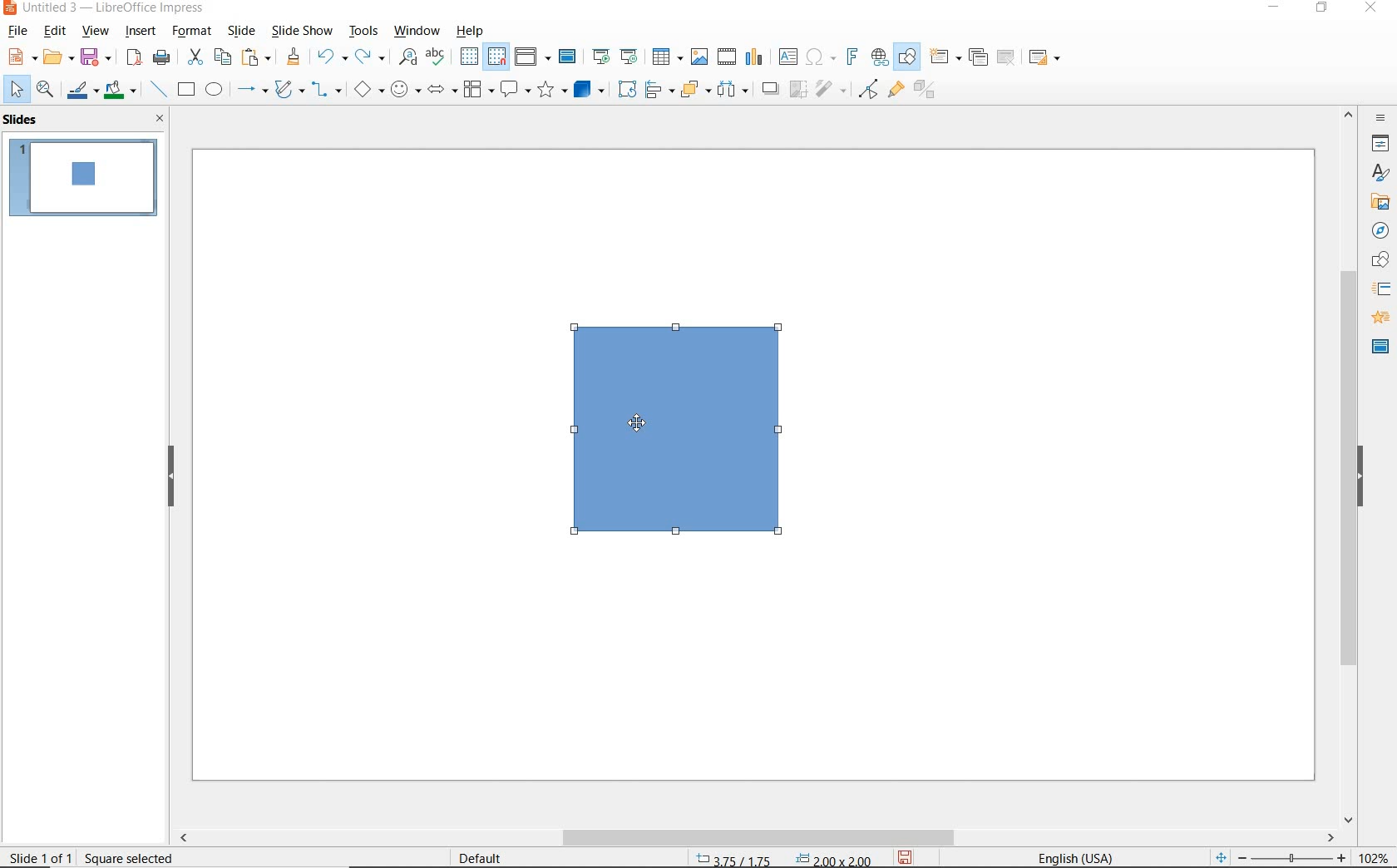 The width and height of the screenshot is (1397, 868). What do you see at coordinates (220, 56) in the screenshot?
I see `copy` at bounding box center [220, 56].